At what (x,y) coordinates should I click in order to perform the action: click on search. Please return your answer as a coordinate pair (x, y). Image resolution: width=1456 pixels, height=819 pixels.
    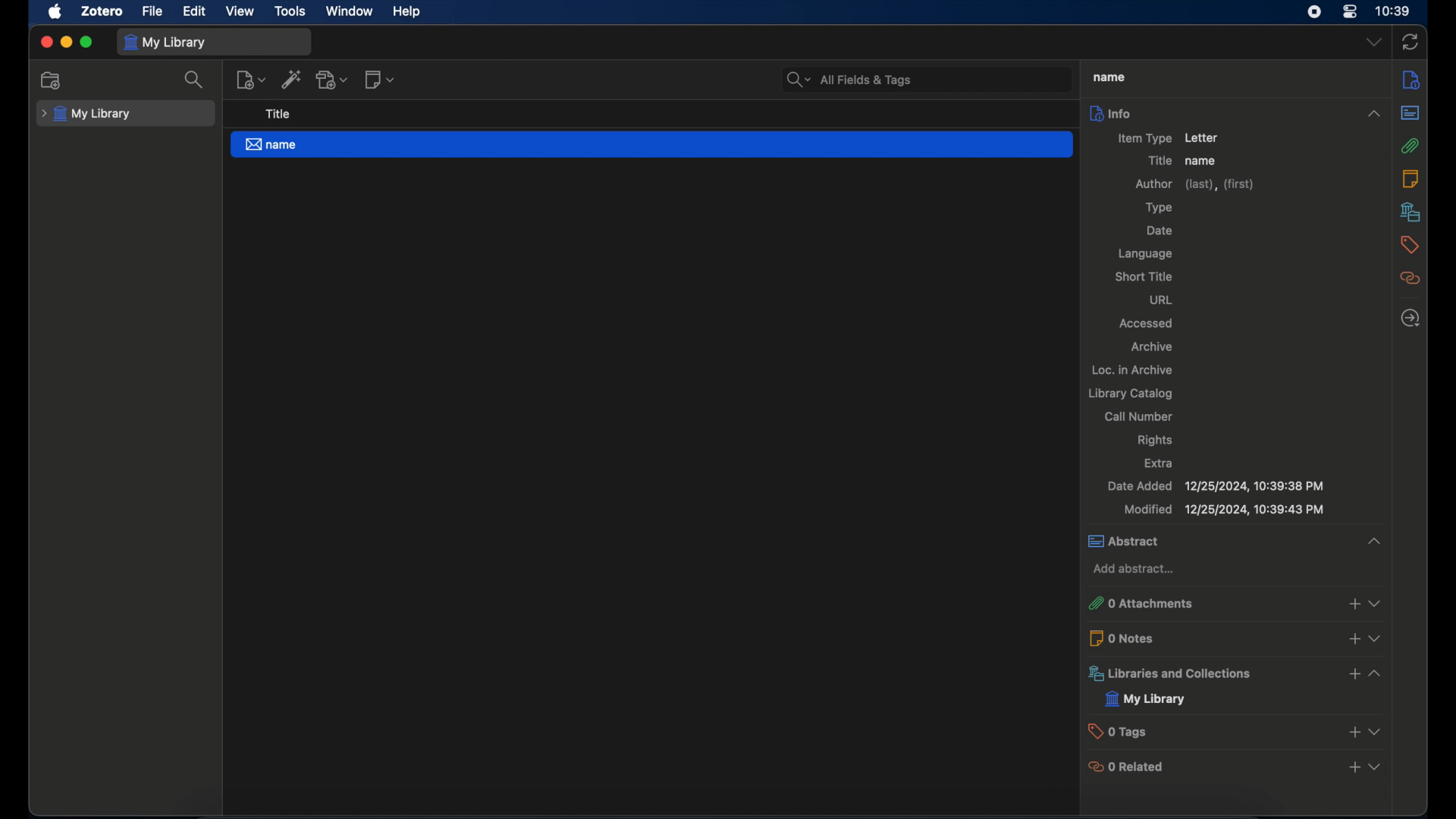
    Looking at the image, I should click on (196, 80).